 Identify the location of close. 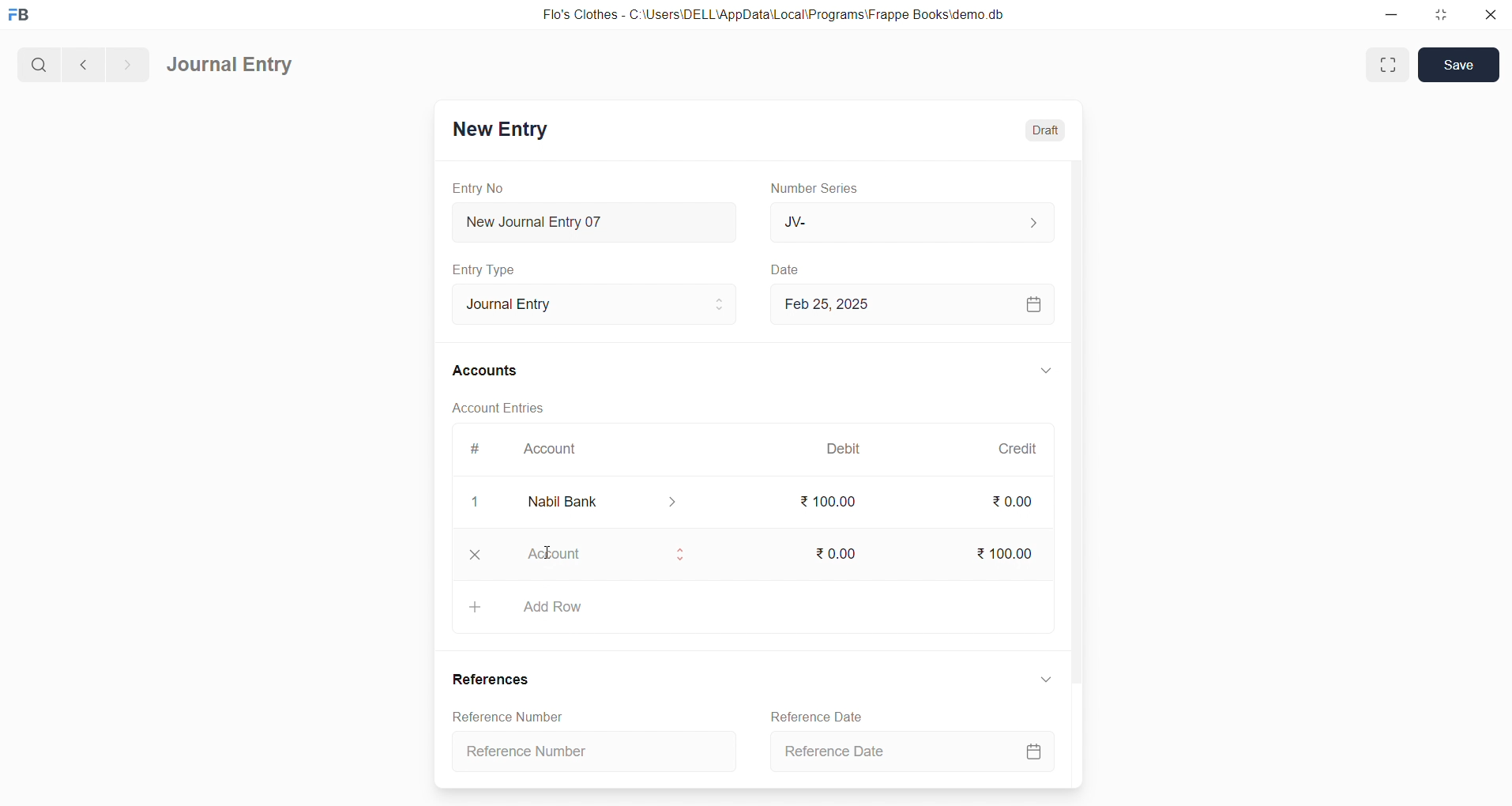
(476, 555).